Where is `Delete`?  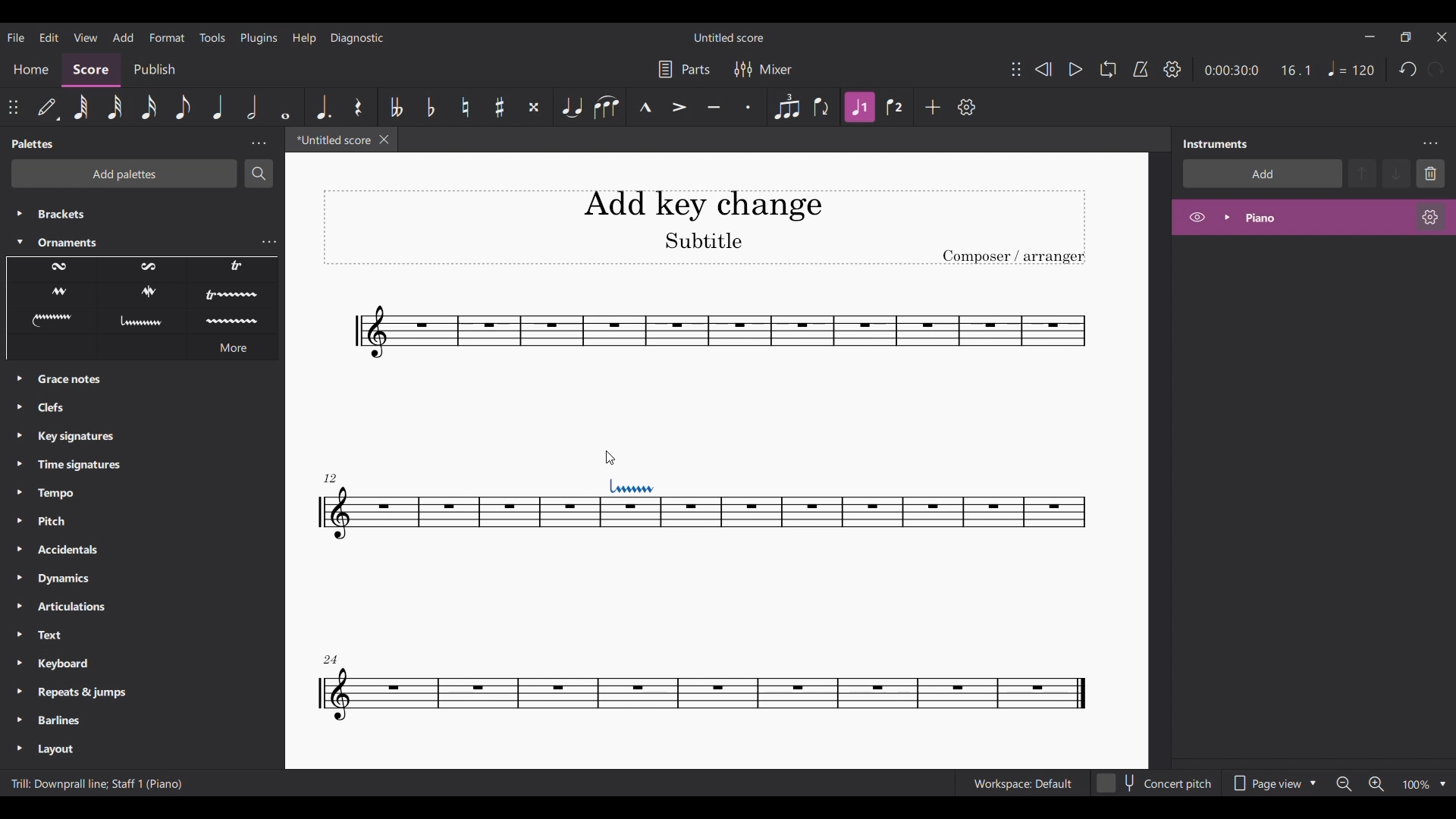
Delete is located at coordinates (1430, 174).